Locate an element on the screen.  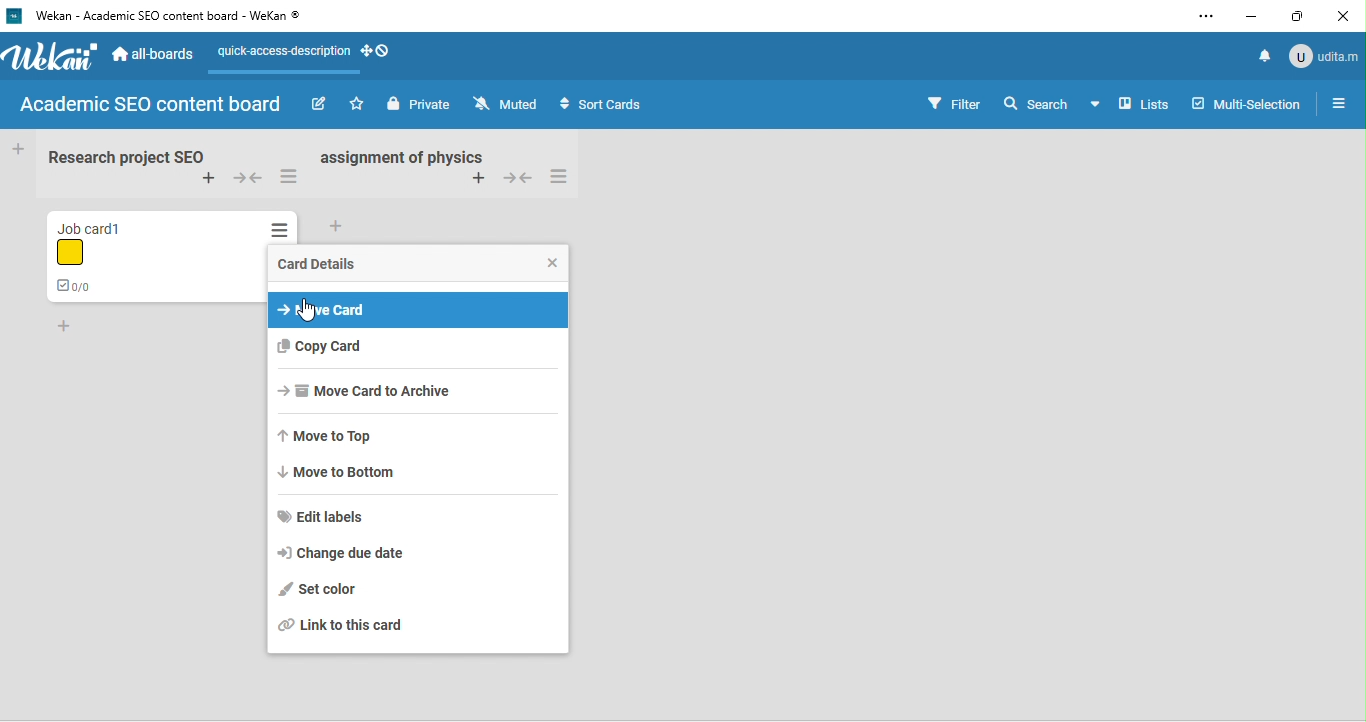
Wekan - Academic SEO content board - WeKan is located at coordinates (167, 20).